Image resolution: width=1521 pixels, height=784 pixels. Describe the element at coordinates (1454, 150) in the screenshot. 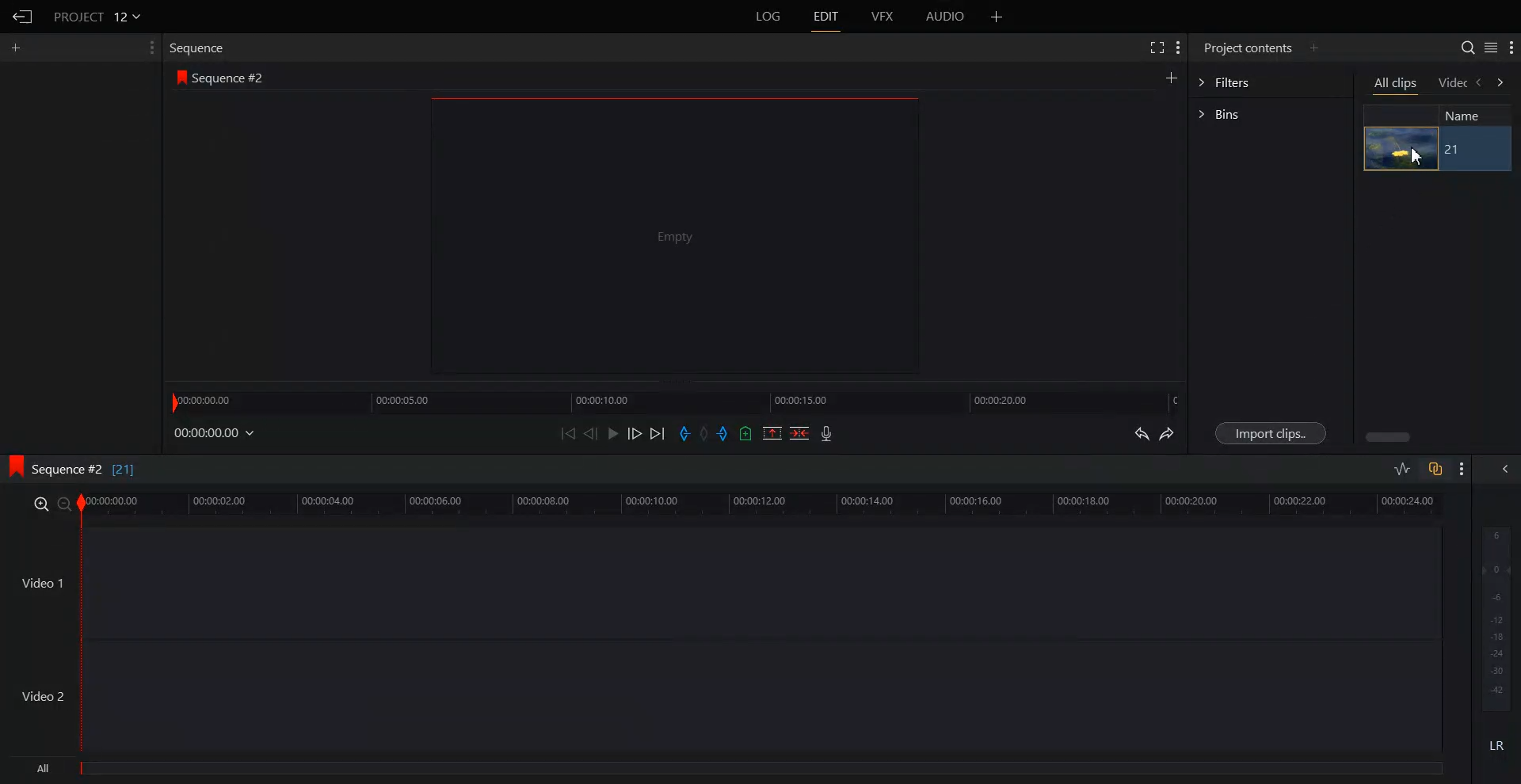

I see `21` at that location.